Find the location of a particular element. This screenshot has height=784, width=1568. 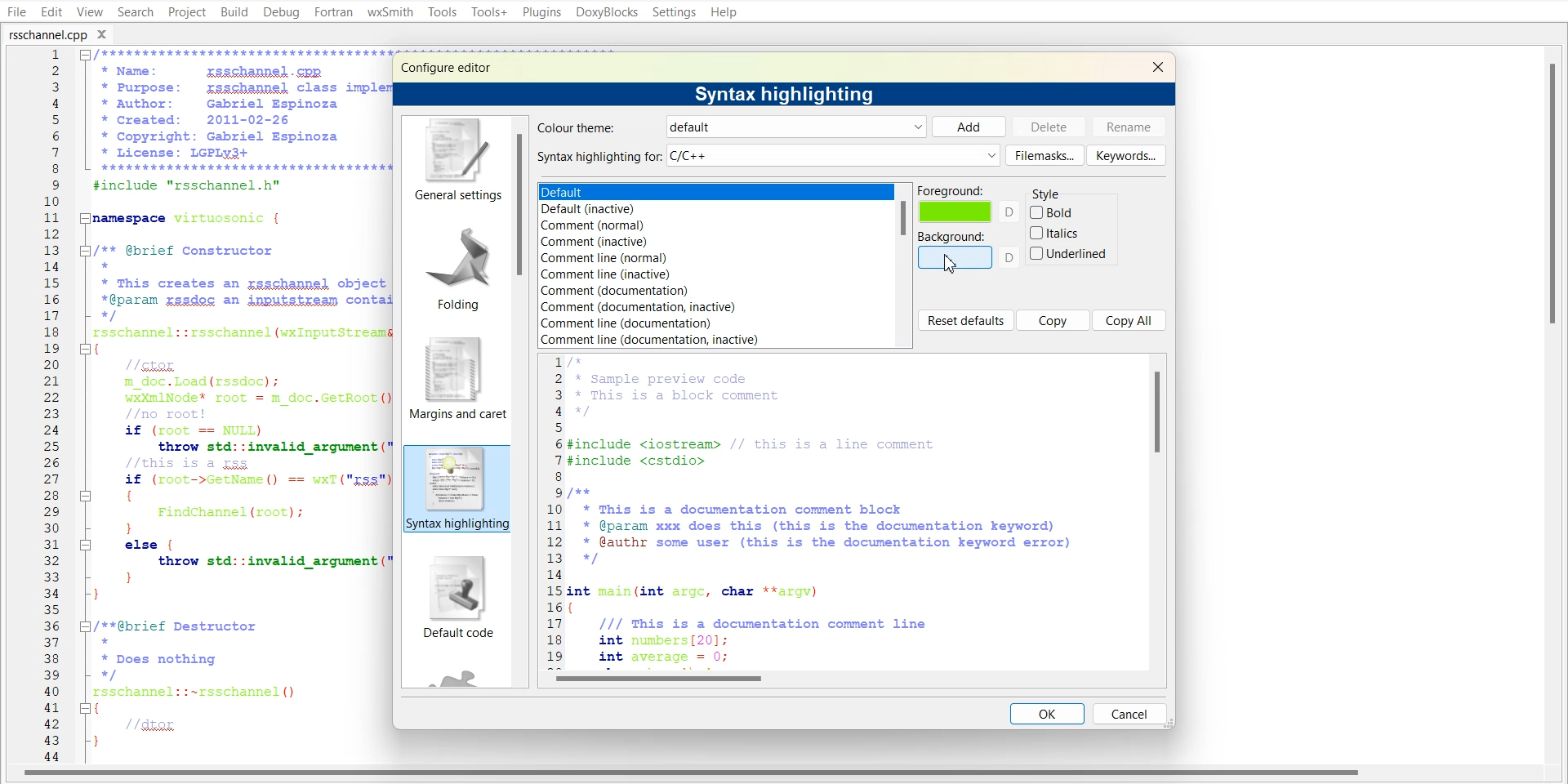

Plugins is located at coordinates (541, 11).